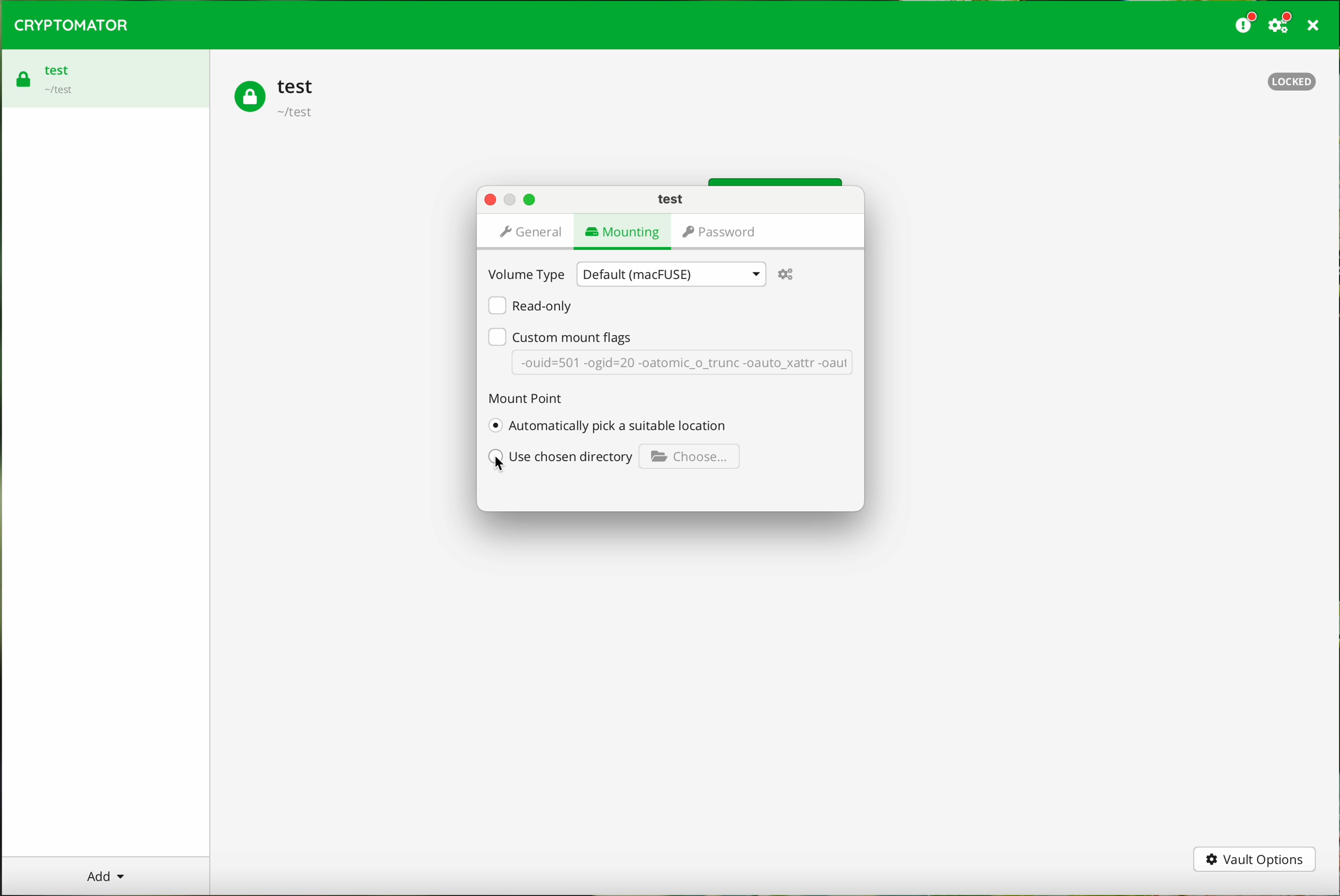  What do you see at coordinates (1281, 26) in the screenshot?
I see `settings` at bounding box center [1281, 26].